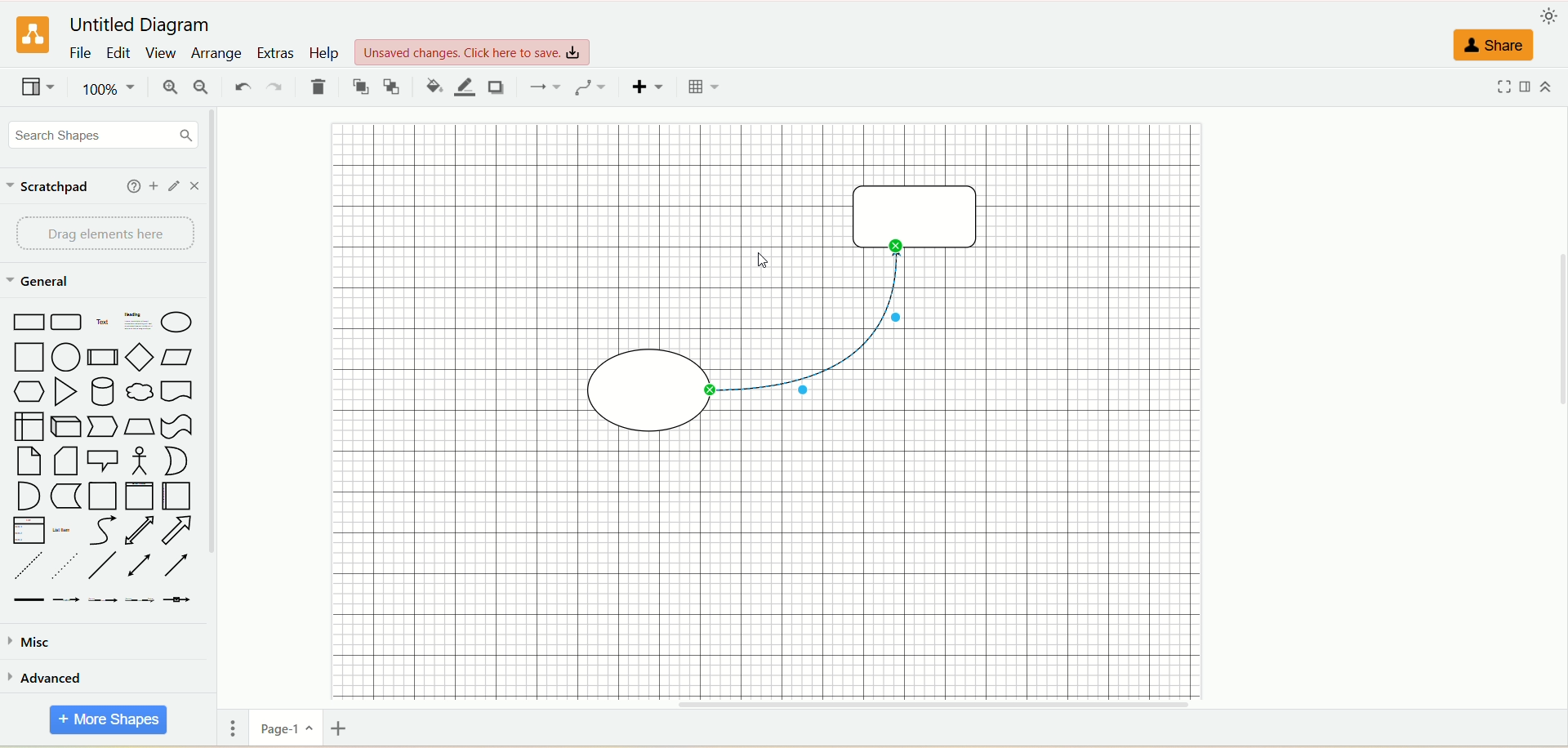 The height and width of the screenshot is (748, 1568). Describe the element at coordinates (499, 89) in the screenshot. I see `shadow` at that location.